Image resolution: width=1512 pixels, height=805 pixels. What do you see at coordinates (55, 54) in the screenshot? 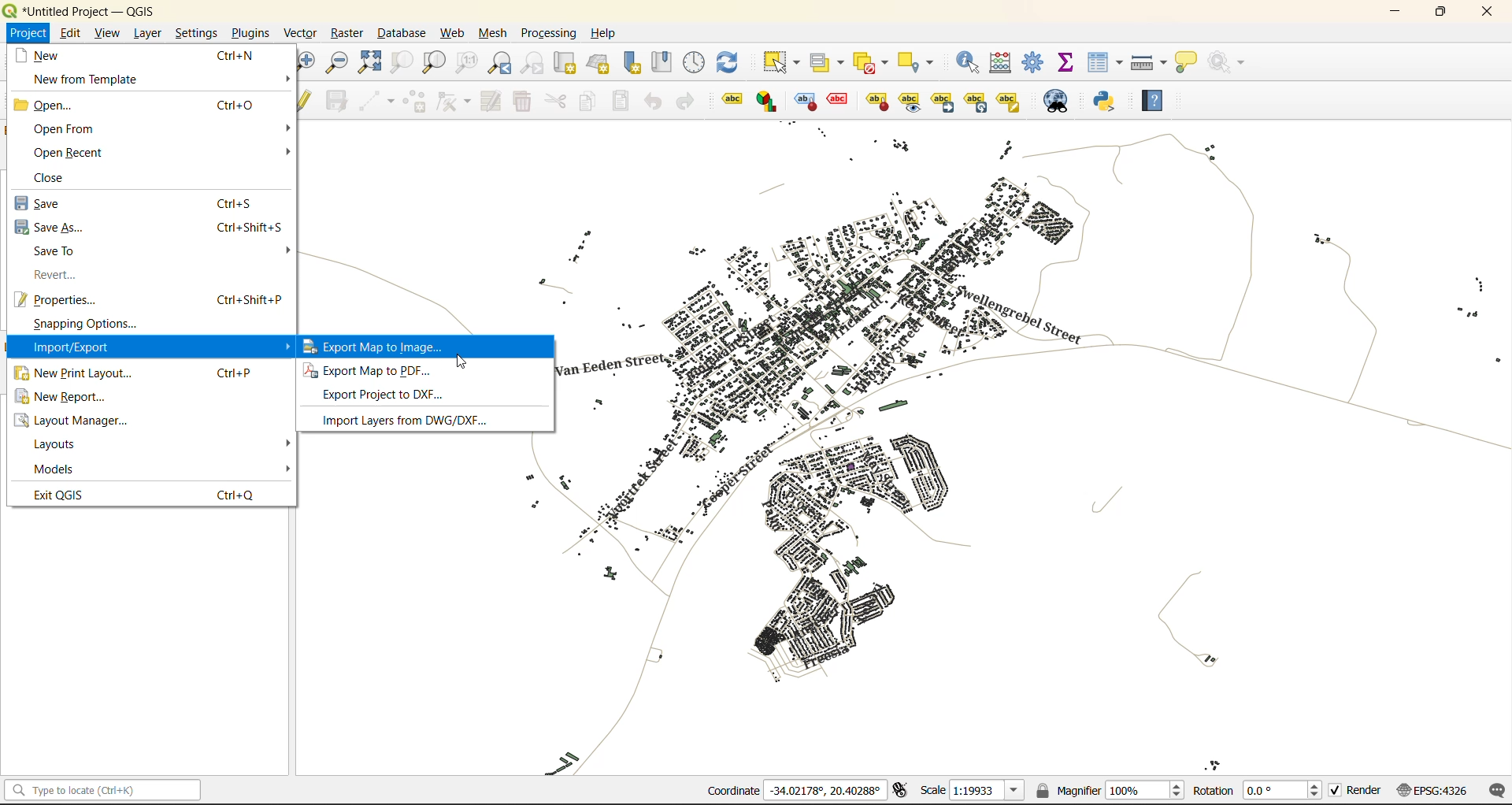
I see `new` at bounding box center [55, 54].